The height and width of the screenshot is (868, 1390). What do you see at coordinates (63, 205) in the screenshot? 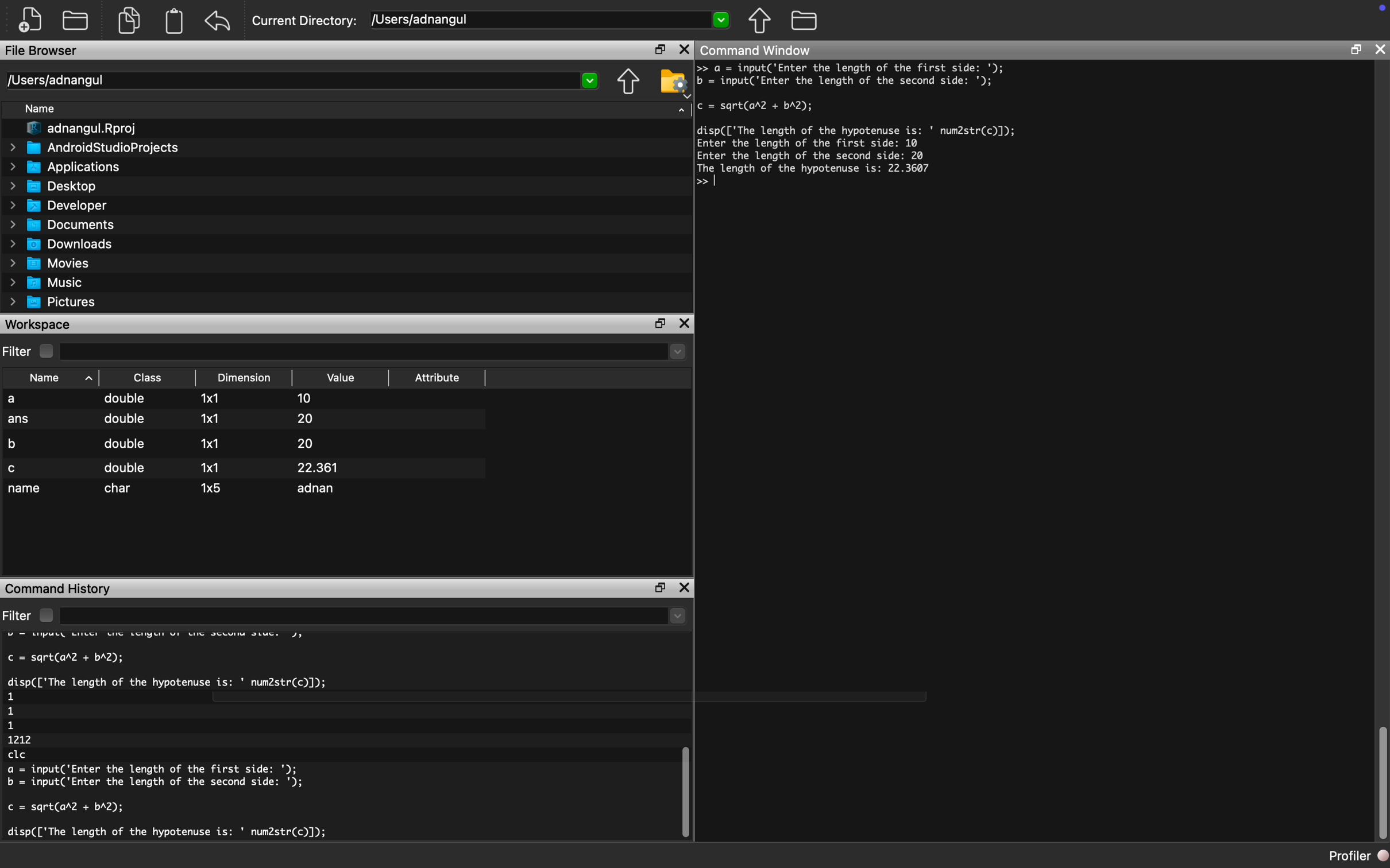
I see `Developer` at bounding box center [63, 205].